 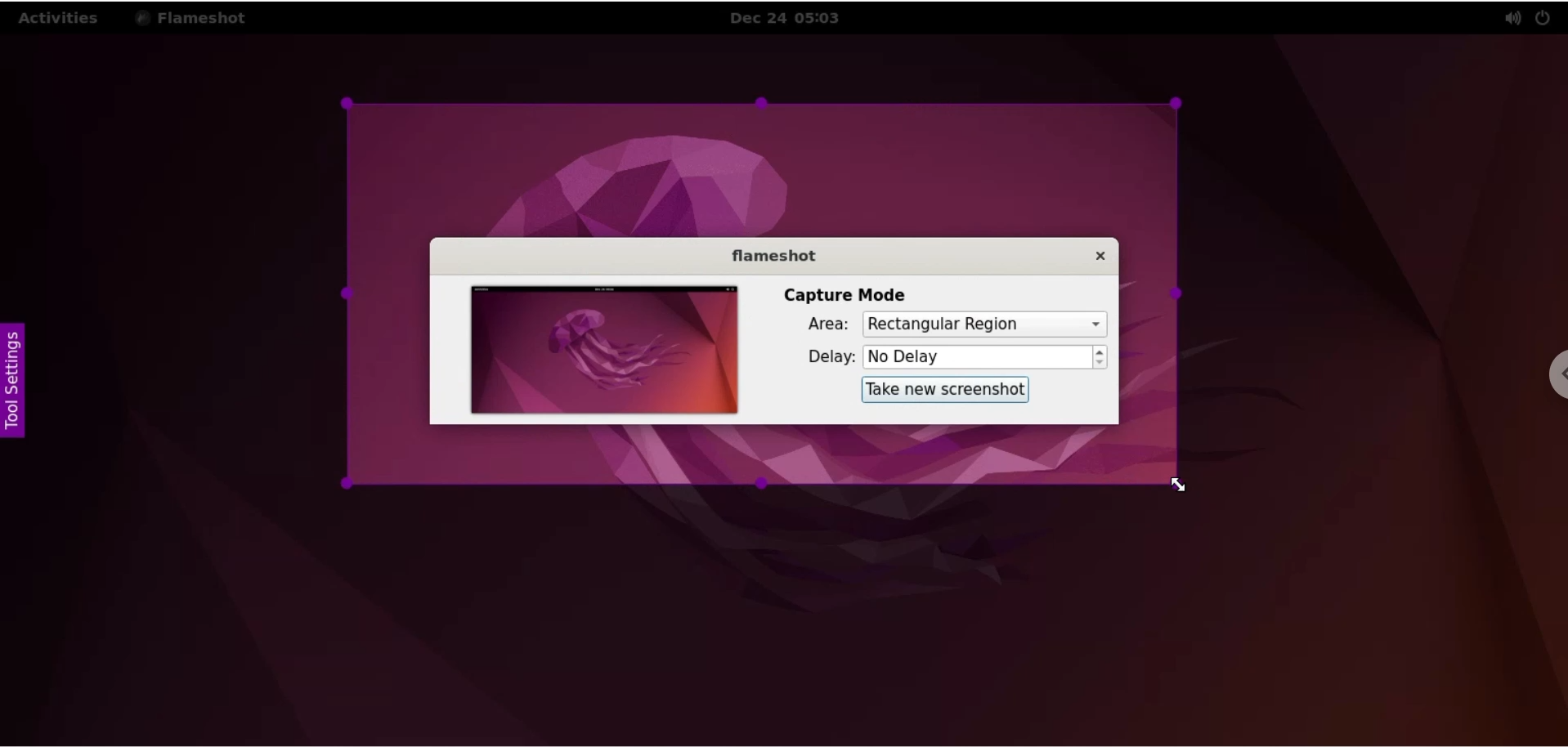 What do you see at coordinates (1547, 16) in the screenshot?
I see `power options` at bounding box center [1547, 16].